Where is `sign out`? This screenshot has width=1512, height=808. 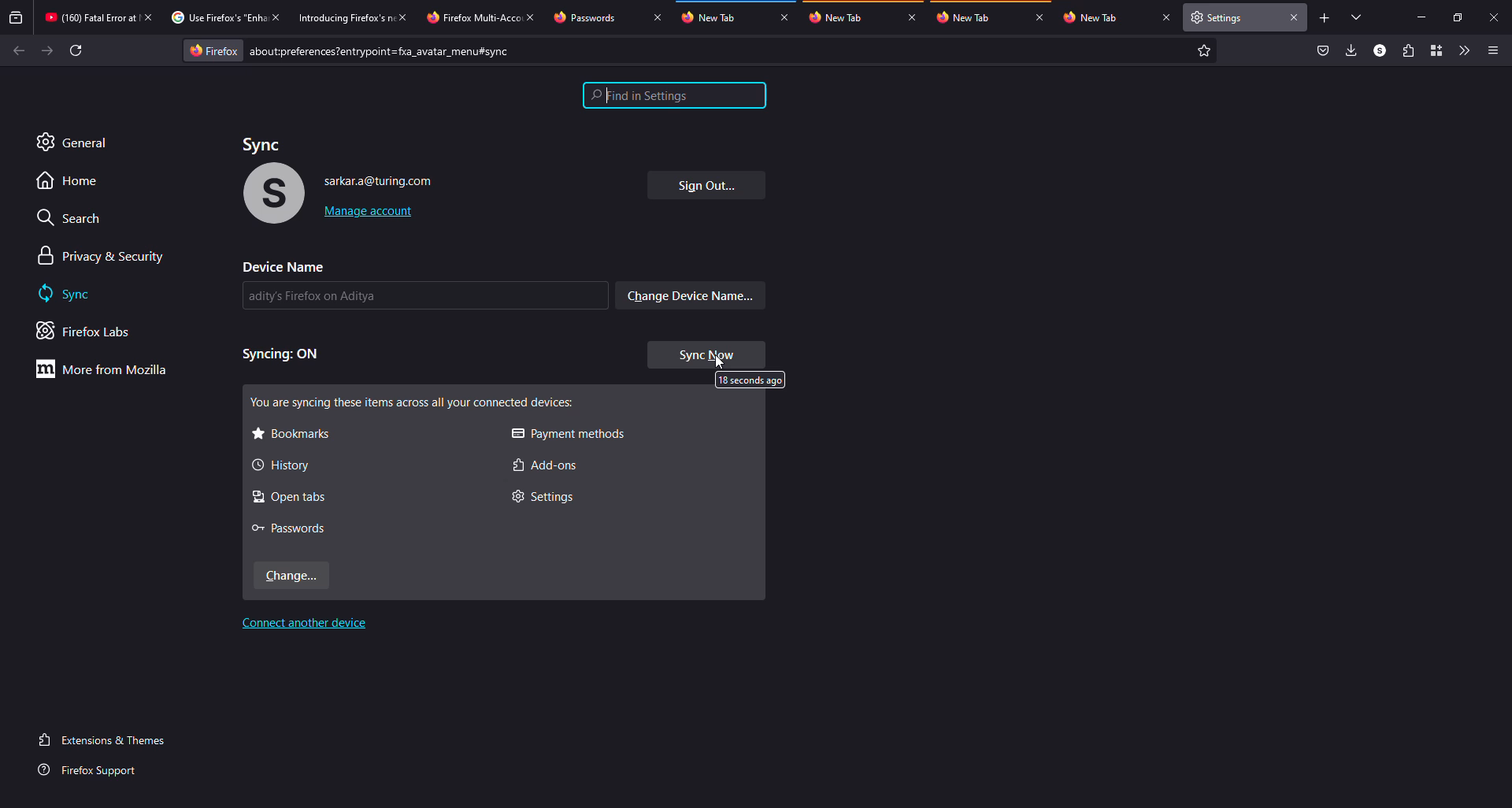
sign out is located at coordinates (707, 185).